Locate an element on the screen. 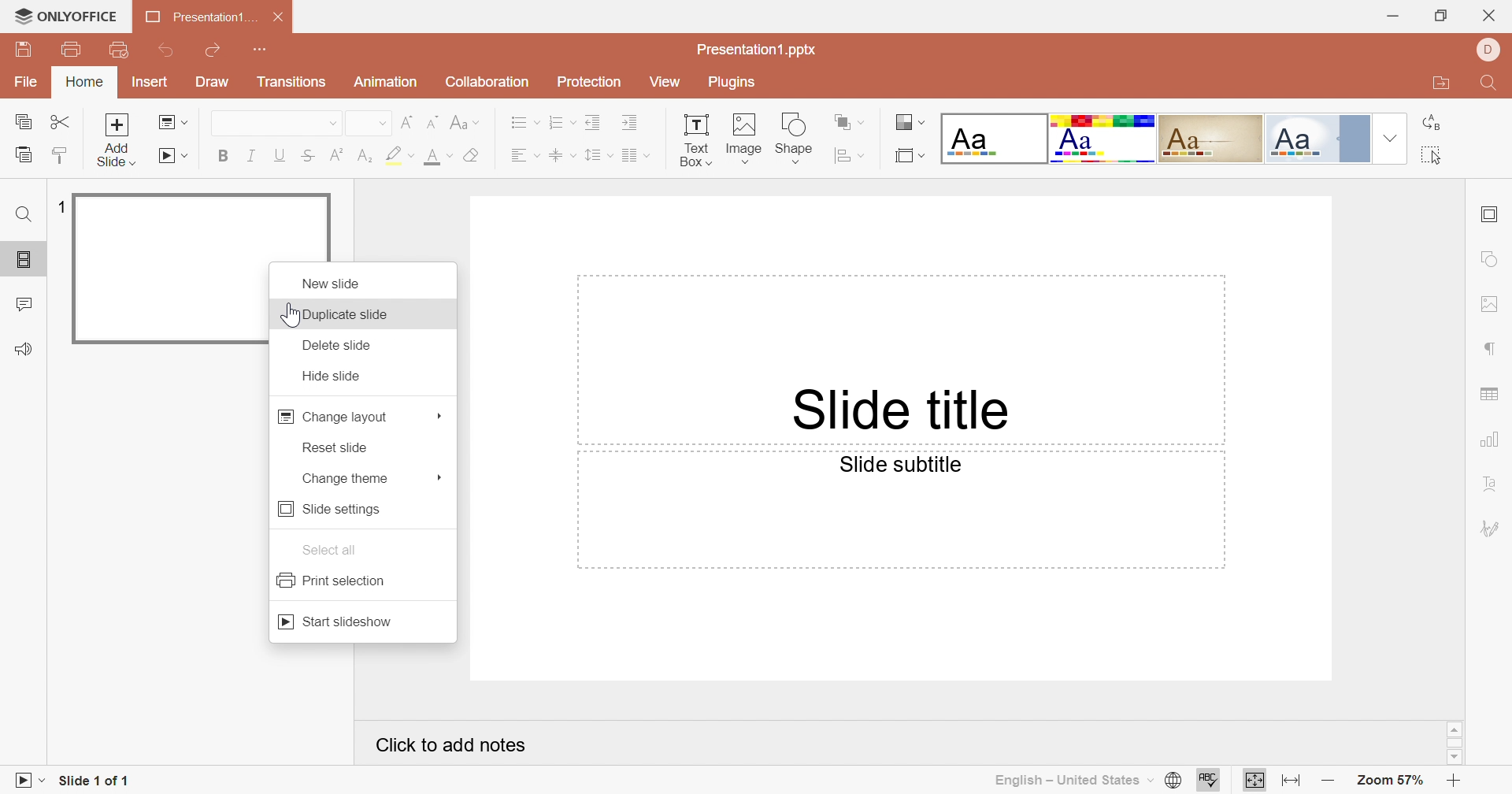 The height and width of the screenshot is (794, 1512). Align Text Left is located at coordinates (519, 155).